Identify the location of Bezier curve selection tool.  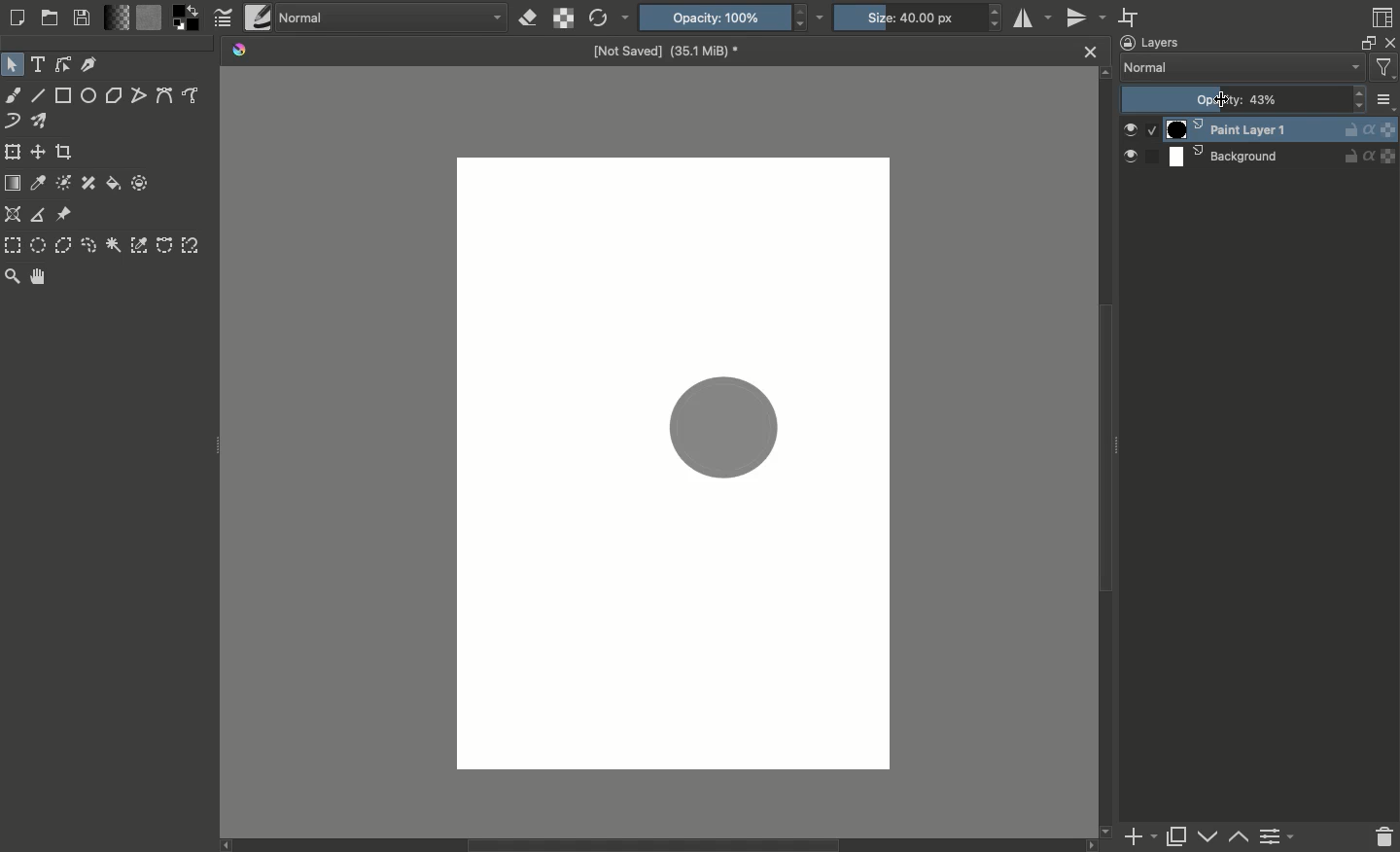
(164, 247).